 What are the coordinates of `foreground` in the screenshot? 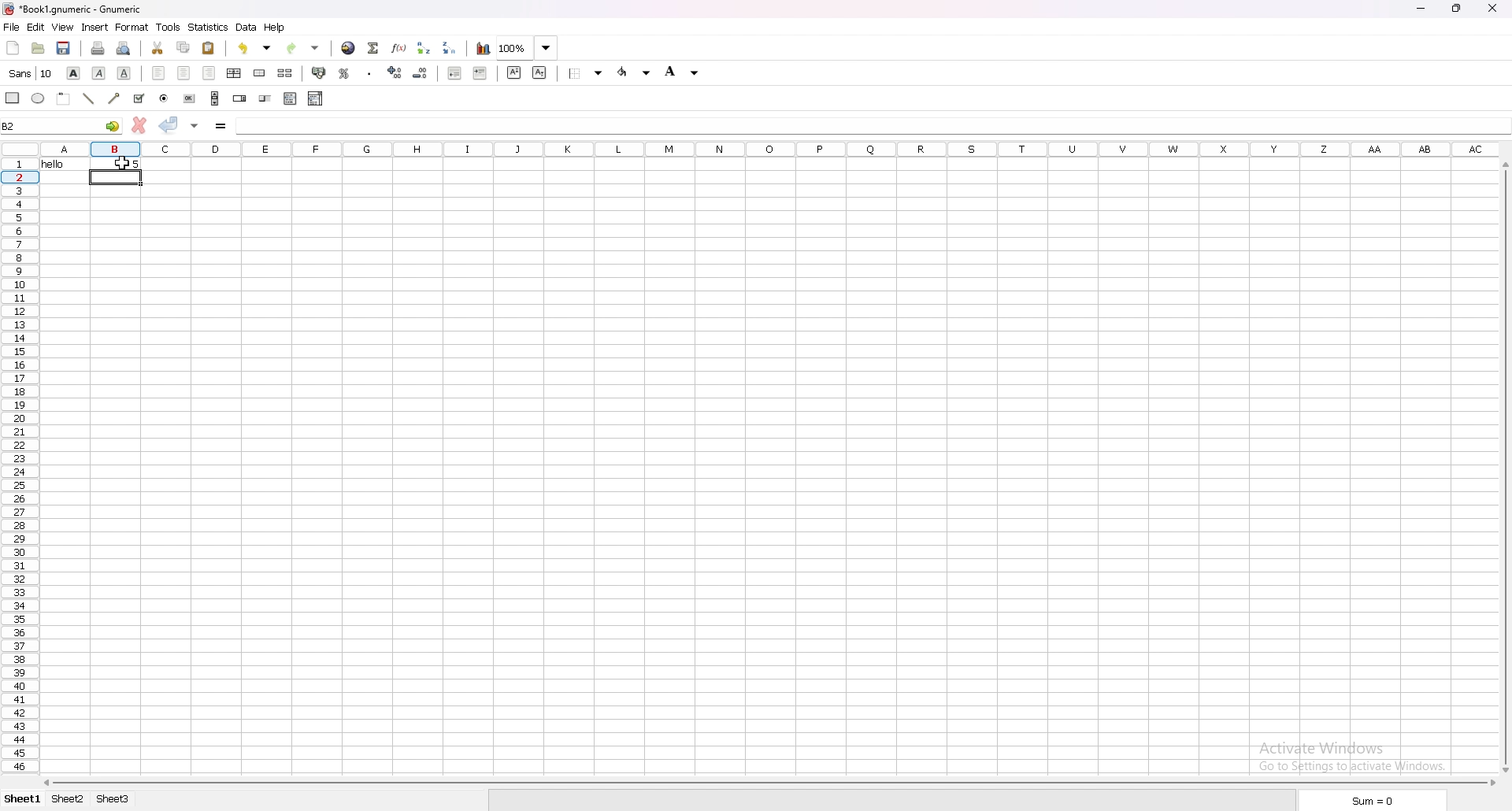 It's located at (683, 72).